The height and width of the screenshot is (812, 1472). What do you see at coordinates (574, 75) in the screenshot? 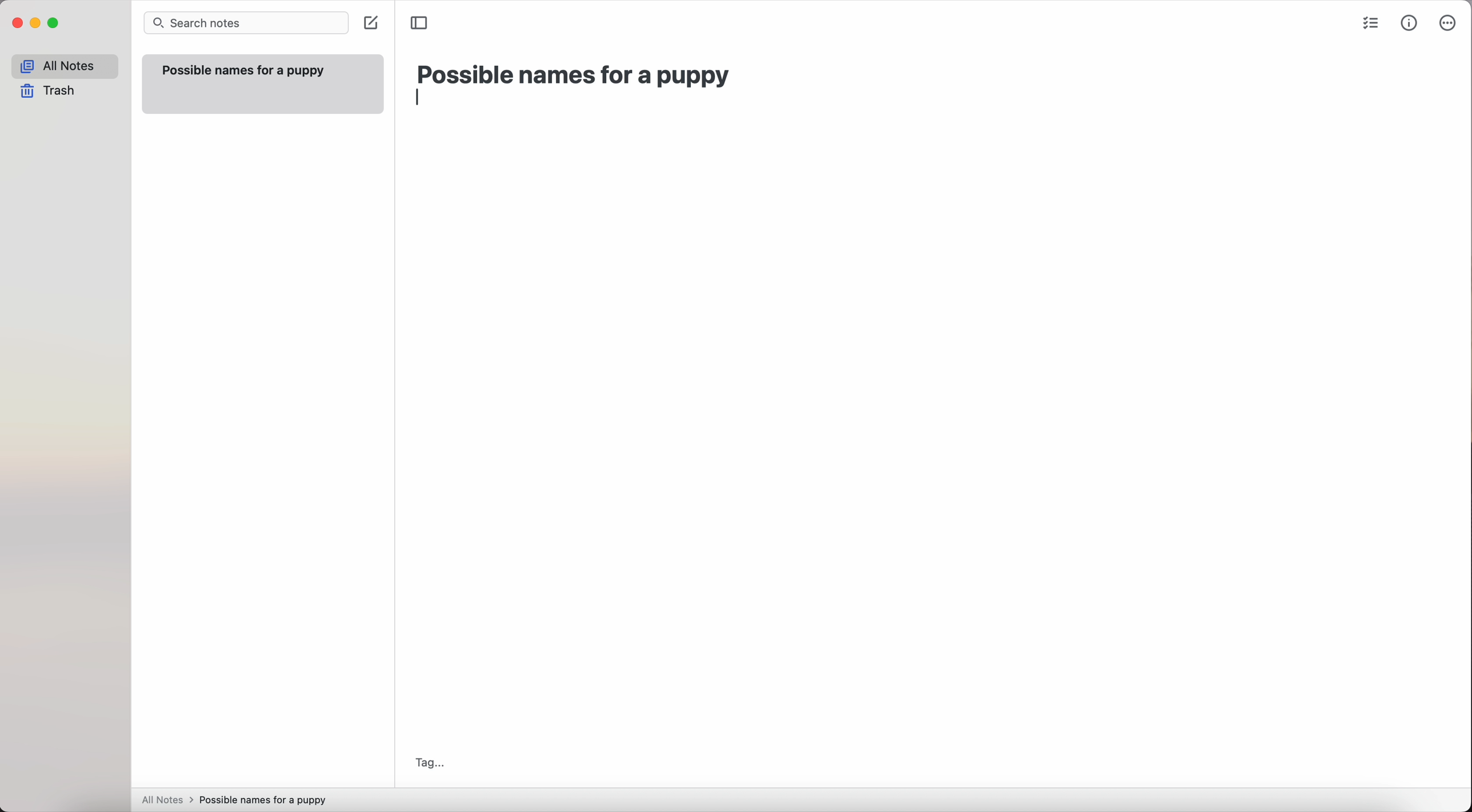
I see `possible names for a puppy` at bounding box center [574, 75].